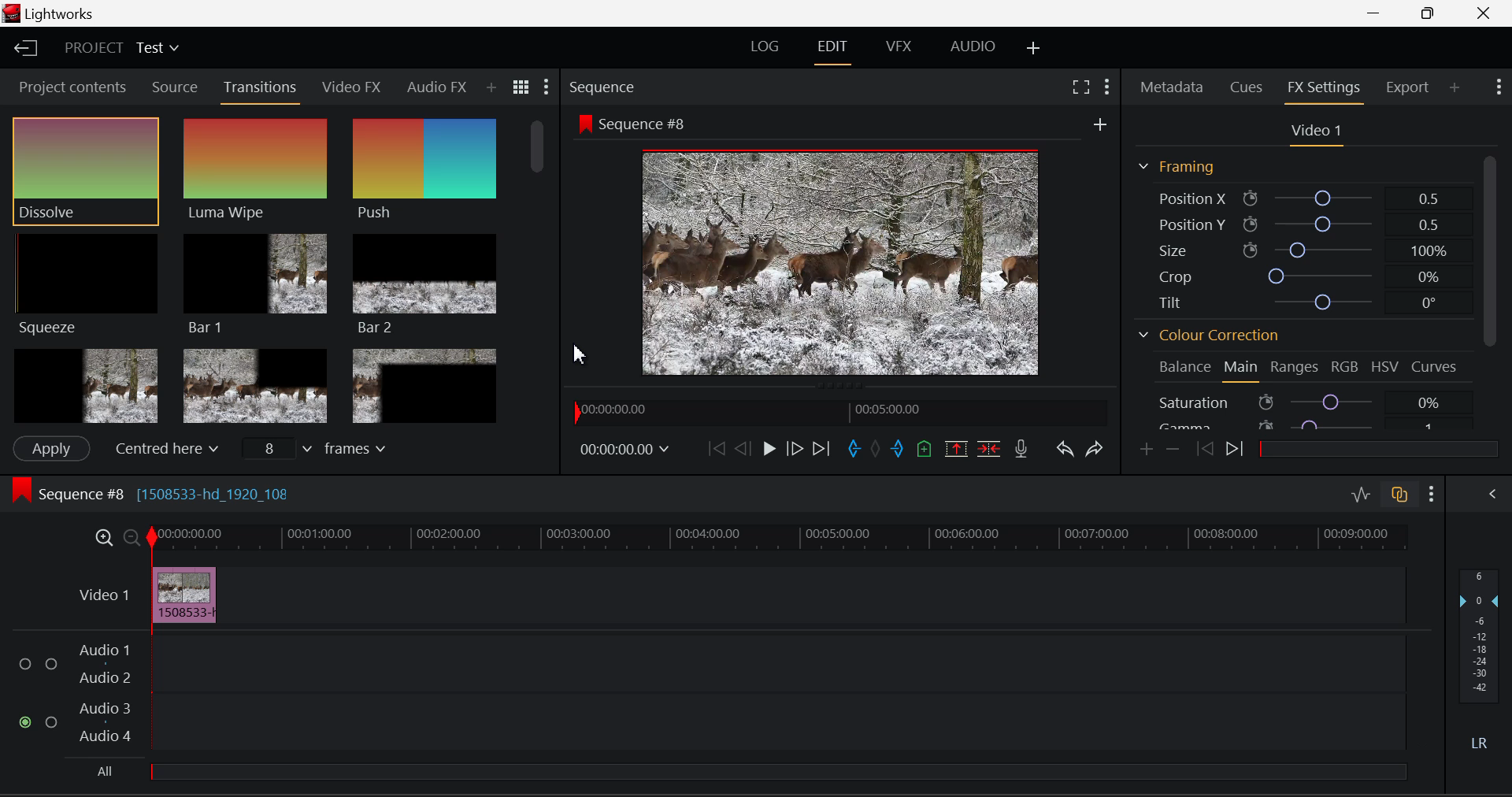 The image size is (1512, 797). Describe the element at coordinates (548, 85) in the screenshot. I see `Show Settings` at that location.